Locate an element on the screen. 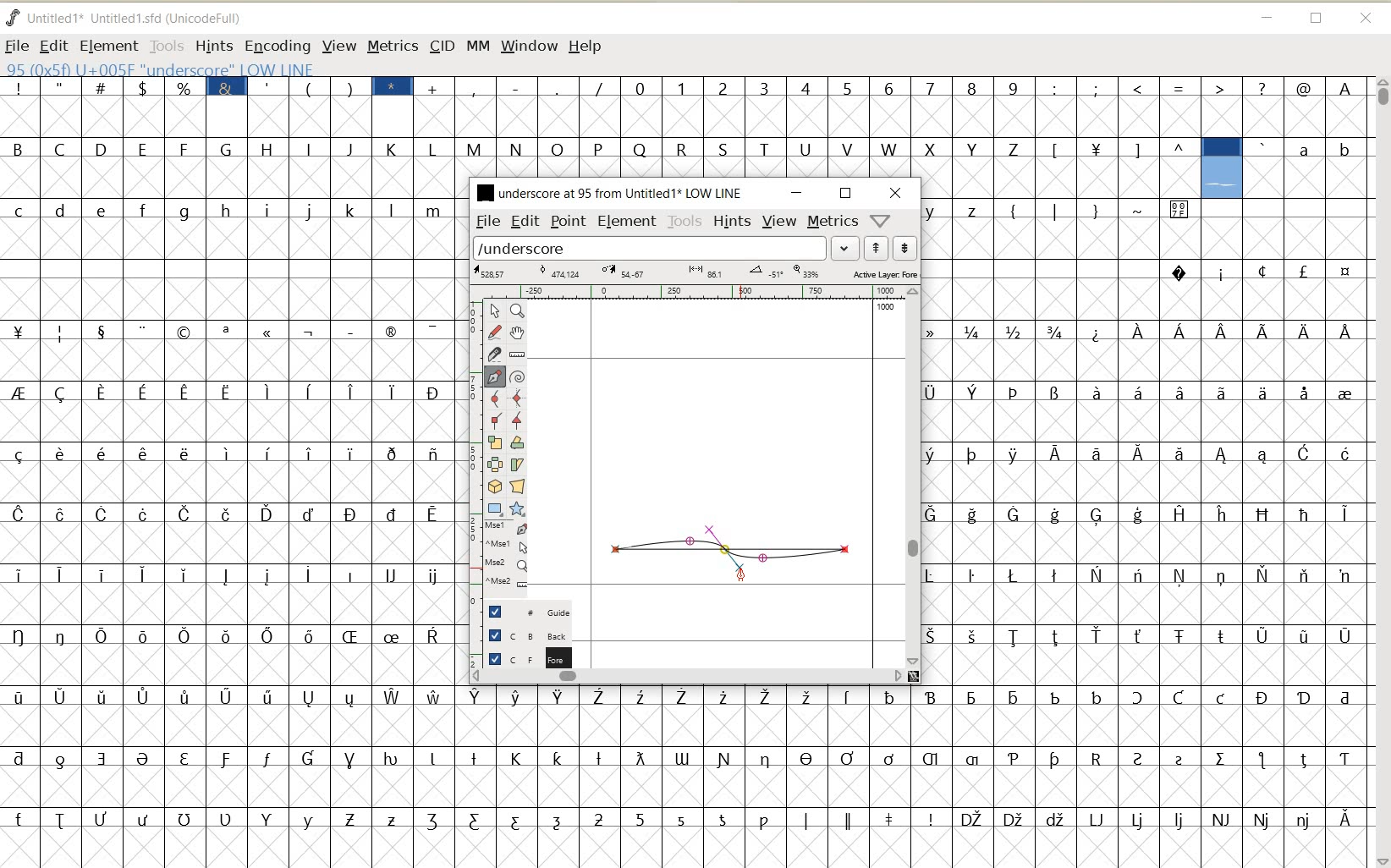 The image size is (1391, 868). CID is located at coordinates (442, 47).